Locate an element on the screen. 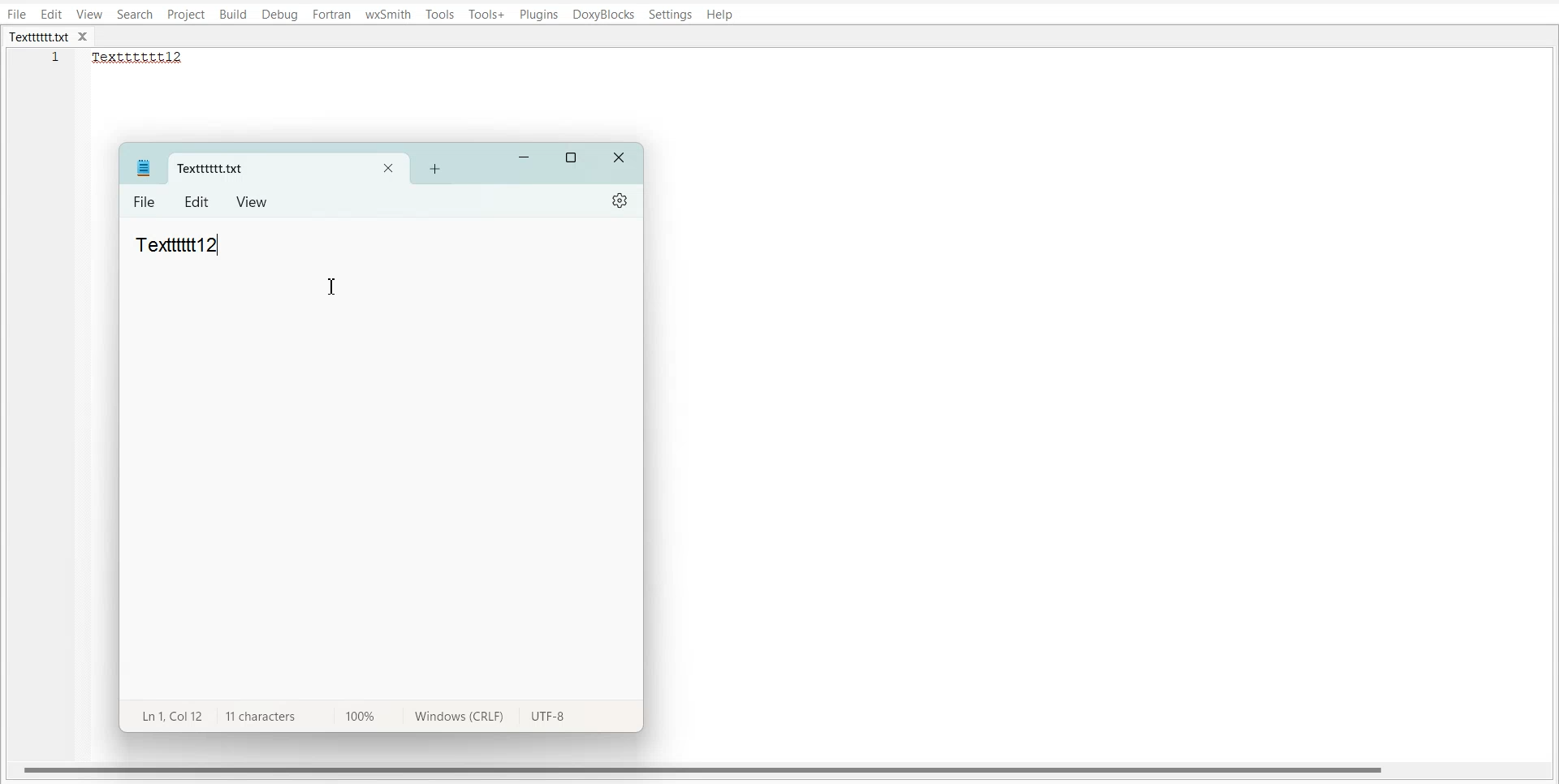  UTF-8 is located at coordinates (548, 718).